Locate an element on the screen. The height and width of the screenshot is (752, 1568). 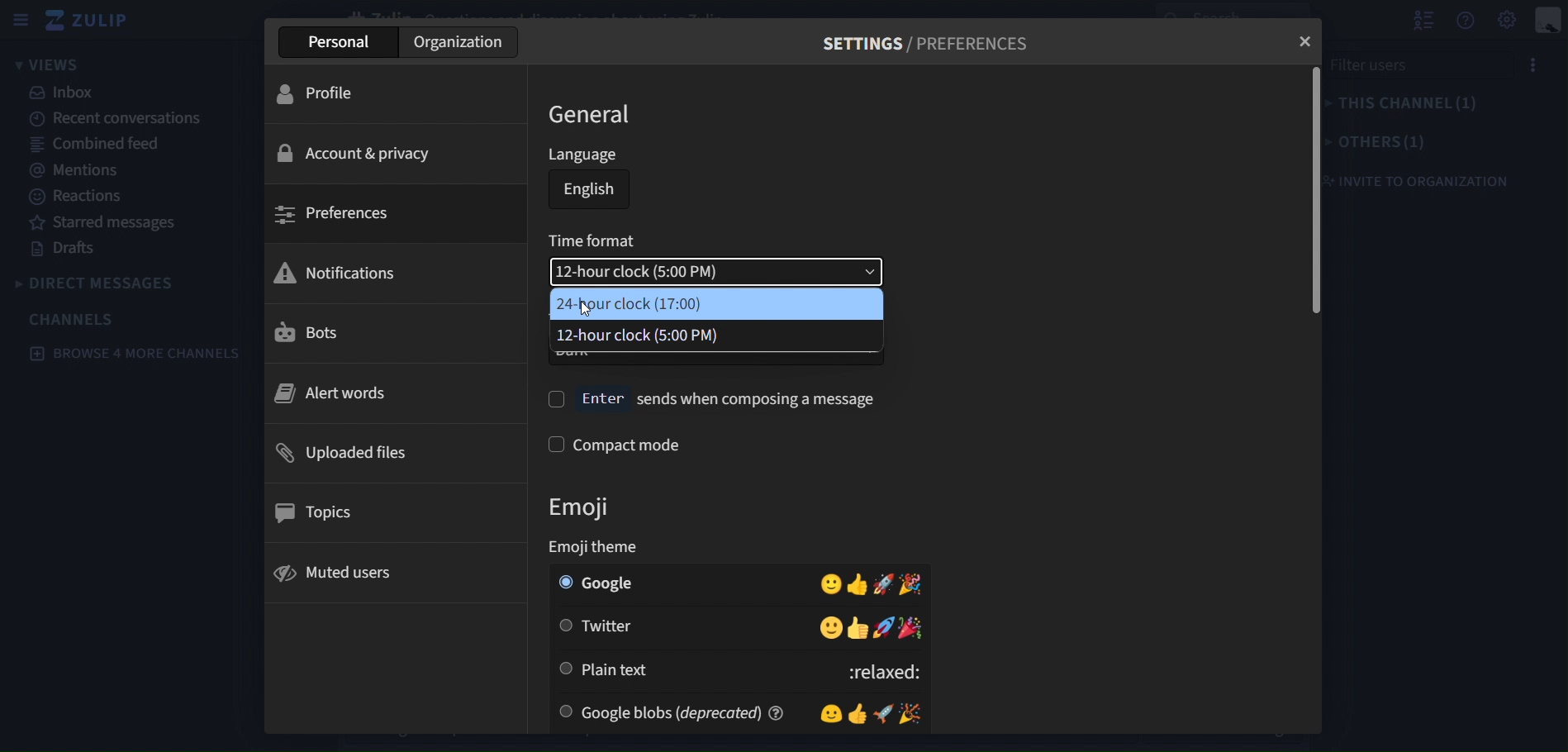
get help is located at coordinates (1469, 20).